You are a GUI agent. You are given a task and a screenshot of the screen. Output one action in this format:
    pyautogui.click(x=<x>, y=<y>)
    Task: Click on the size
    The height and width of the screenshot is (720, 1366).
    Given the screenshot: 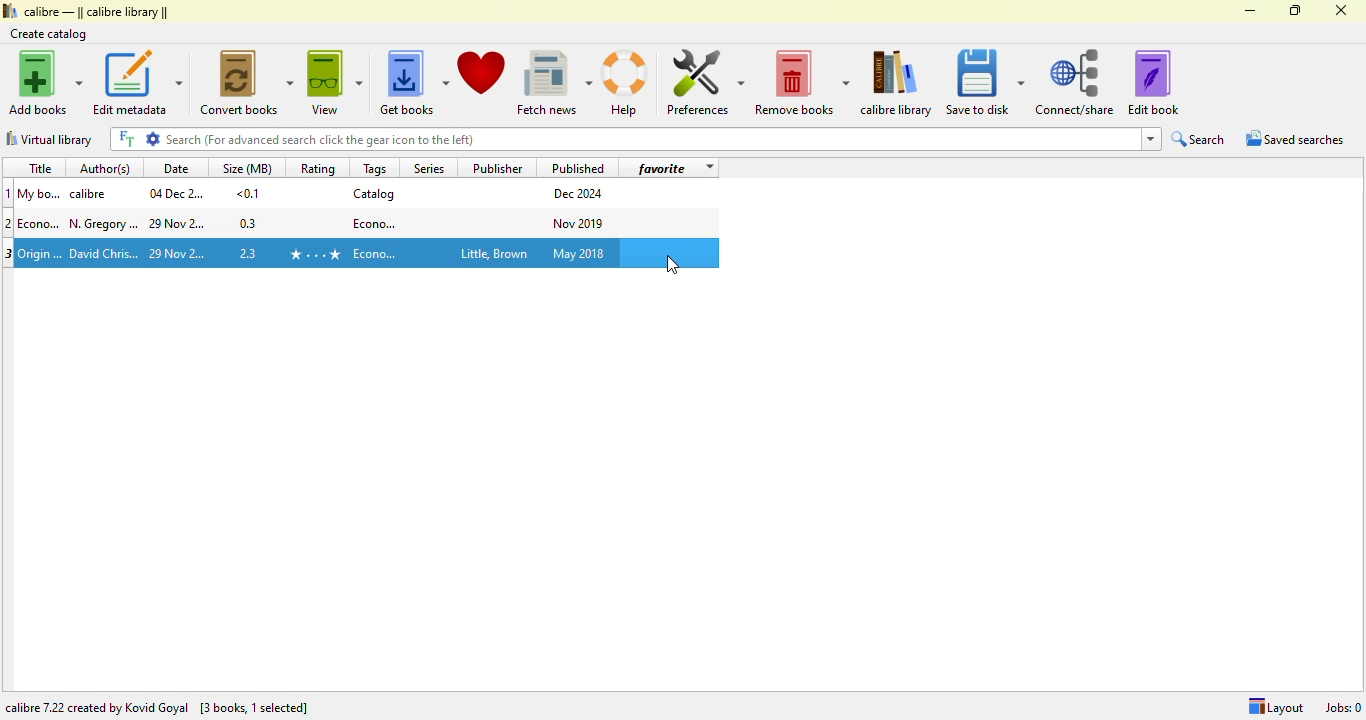 What is the action you would take?
    pyautogui.click(x=250, y=251)
    